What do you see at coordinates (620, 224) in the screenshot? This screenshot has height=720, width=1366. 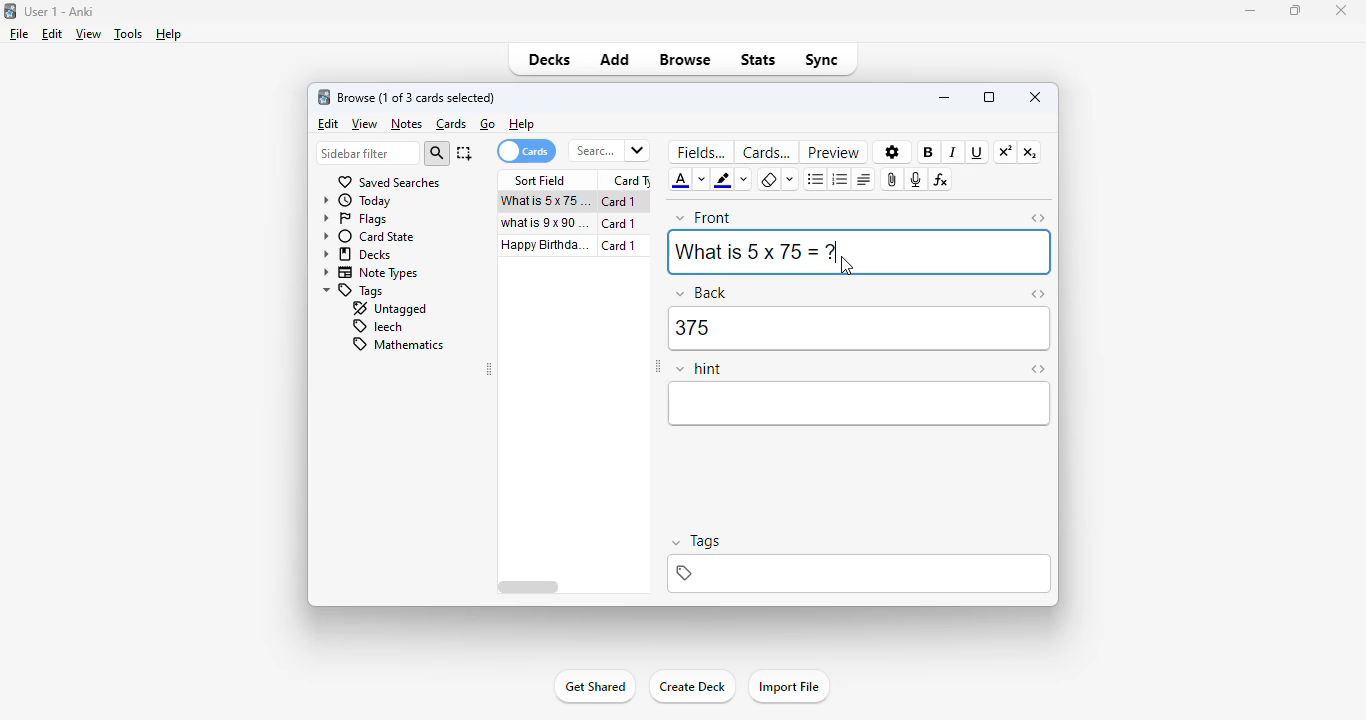 I see `card 1` at bounding box center [620, 224].